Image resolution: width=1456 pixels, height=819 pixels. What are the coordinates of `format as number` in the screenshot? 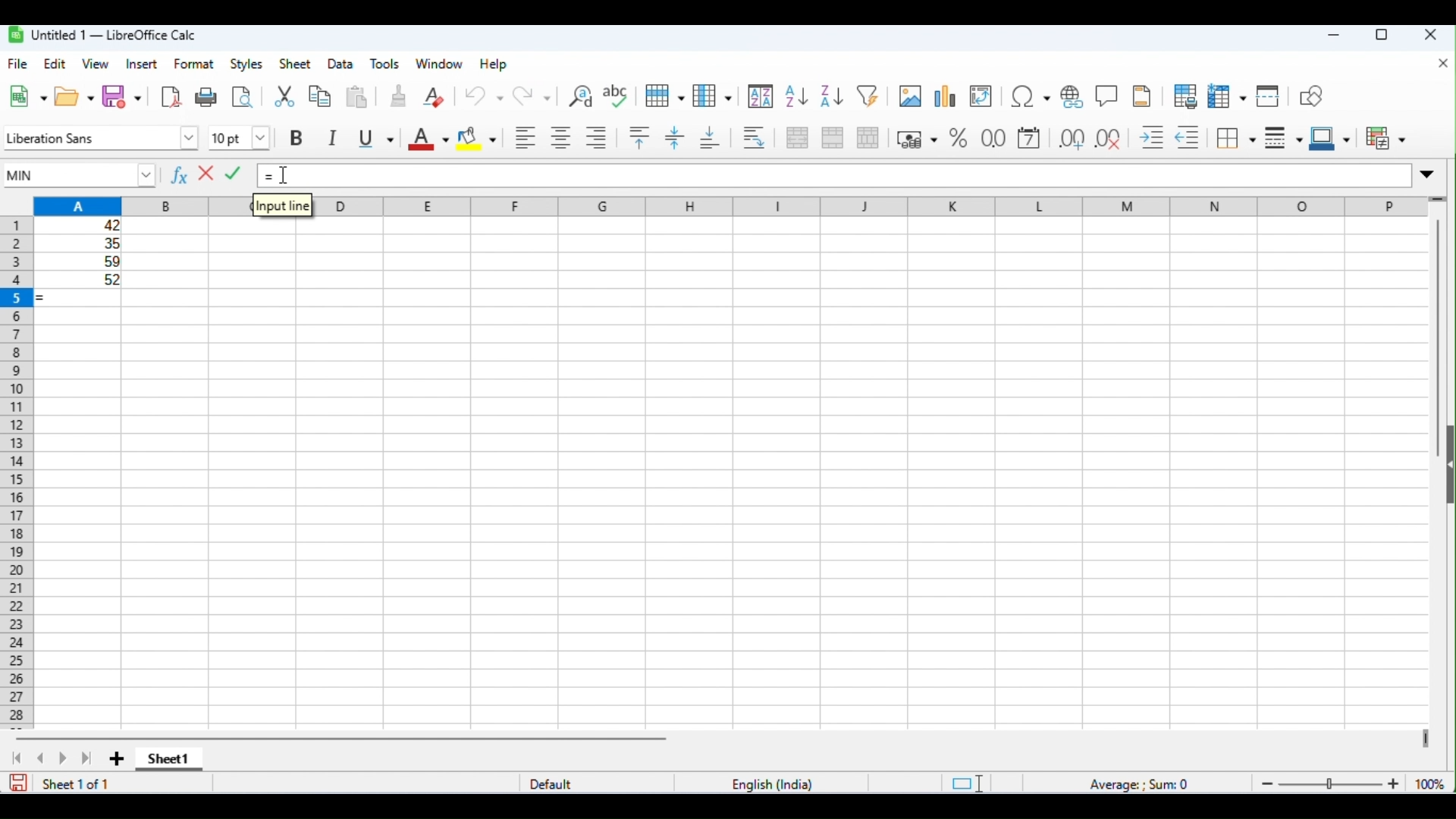 It's located at (993, 139).